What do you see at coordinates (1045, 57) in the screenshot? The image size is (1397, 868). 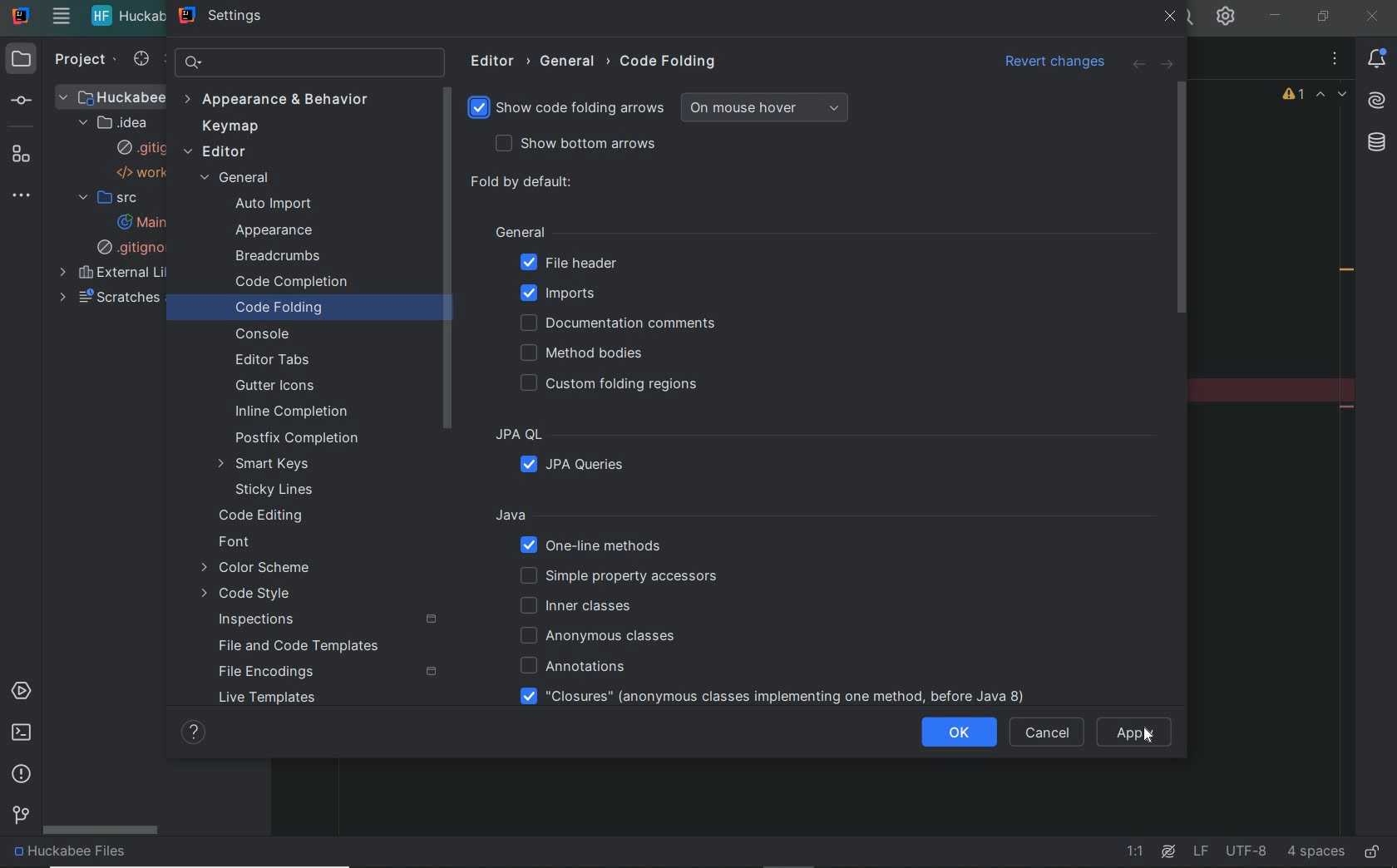 I see `Revert changes` at bounding box center [1045, 57].